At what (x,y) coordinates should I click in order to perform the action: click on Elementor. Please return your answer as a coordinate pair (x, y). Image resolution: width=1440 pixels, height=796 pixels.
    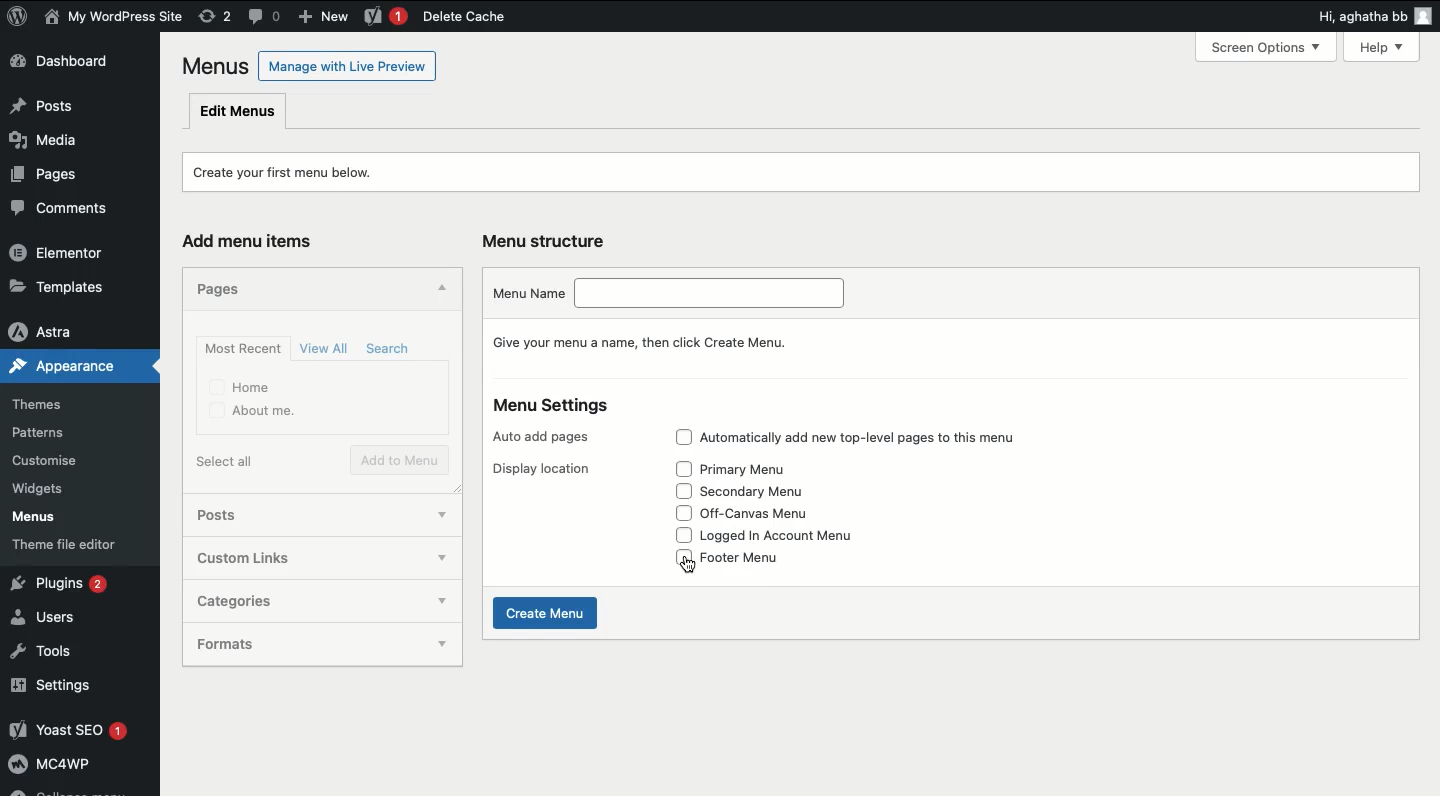
    Looking at the image, I should click on (68, 254).